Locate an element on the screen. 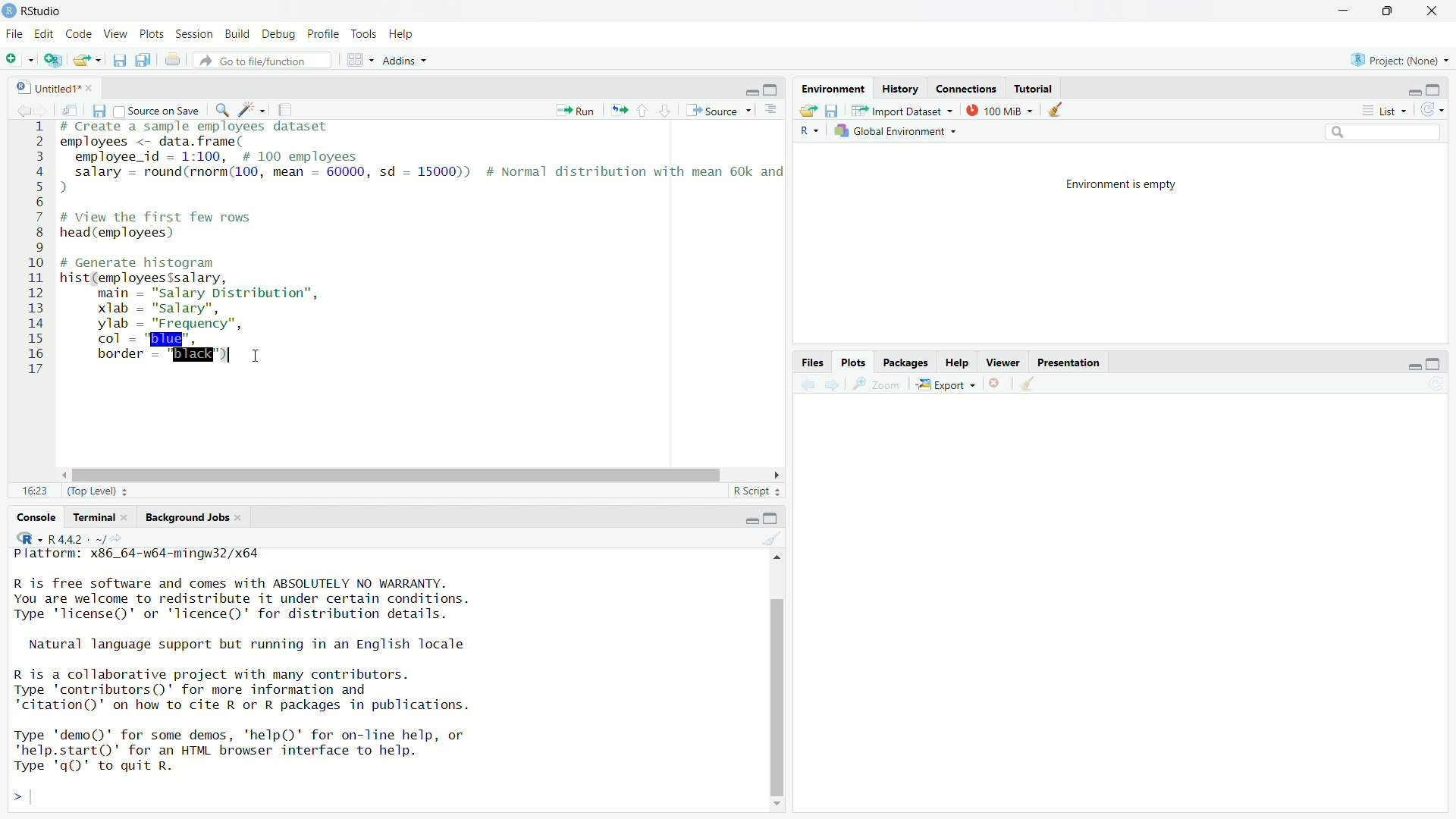 The height and width of the screenshot is (819, 1456). Platform: x86_64-w64-mingw32/x64 R is free software and comes with ABSOLUTELY NO WARRANTY.You are welcome to redistribute it under certain conditions.Type 'license()' or 'licence()' for distribution details.Natural language support but running in an English localeR is a collaborative project with many contributors.Type 'contributors()' for more information and"citation()' on how to cite R or R packages in publications.Type 'demo()' for some demos, 'help()' for on-line help, or'help.start()' for an HTML browser interface to help.Type 'q()' to quit R. is located at coordinates (275, 666).